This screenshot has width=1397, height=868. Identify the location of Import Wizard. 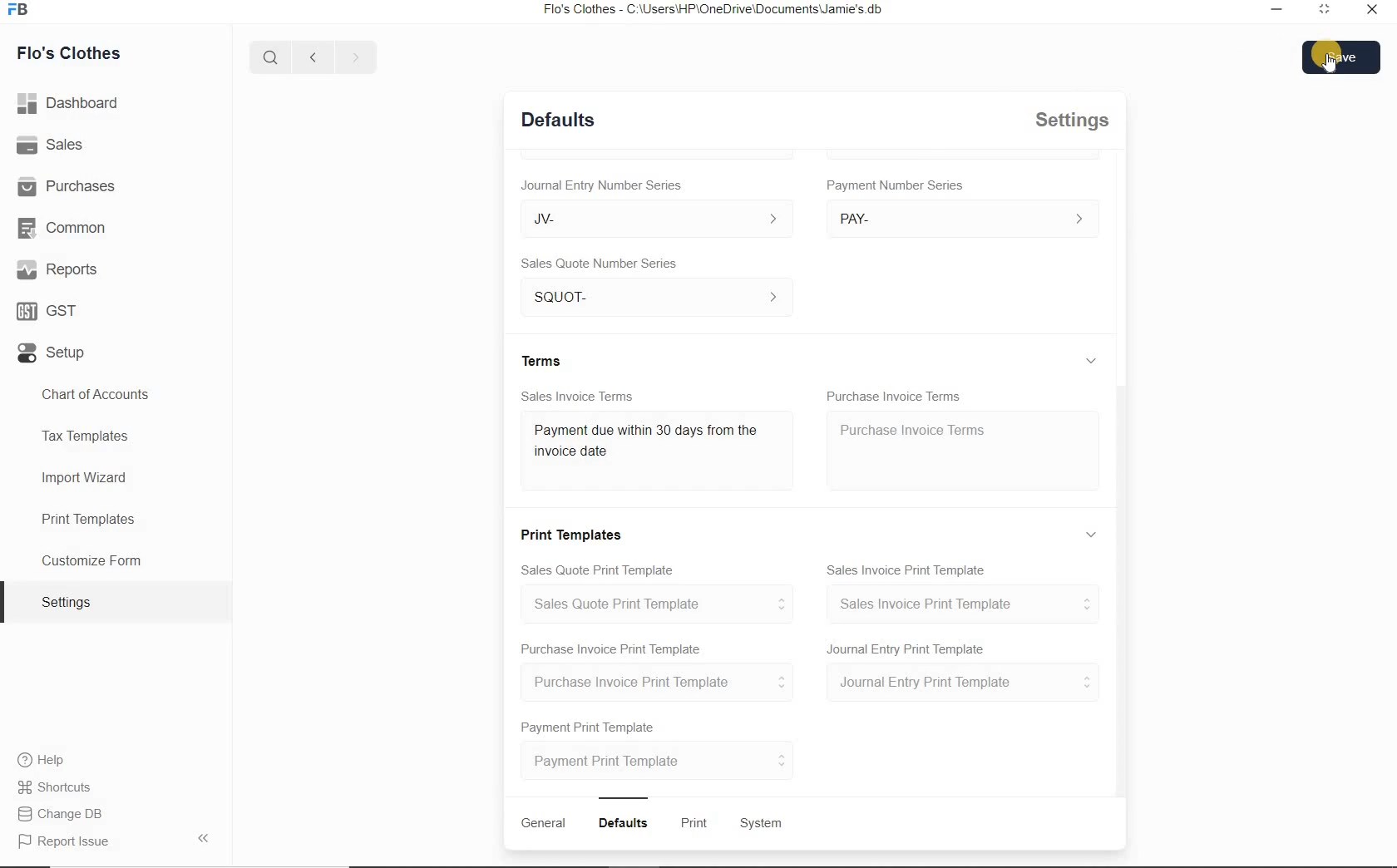
(115, 479).